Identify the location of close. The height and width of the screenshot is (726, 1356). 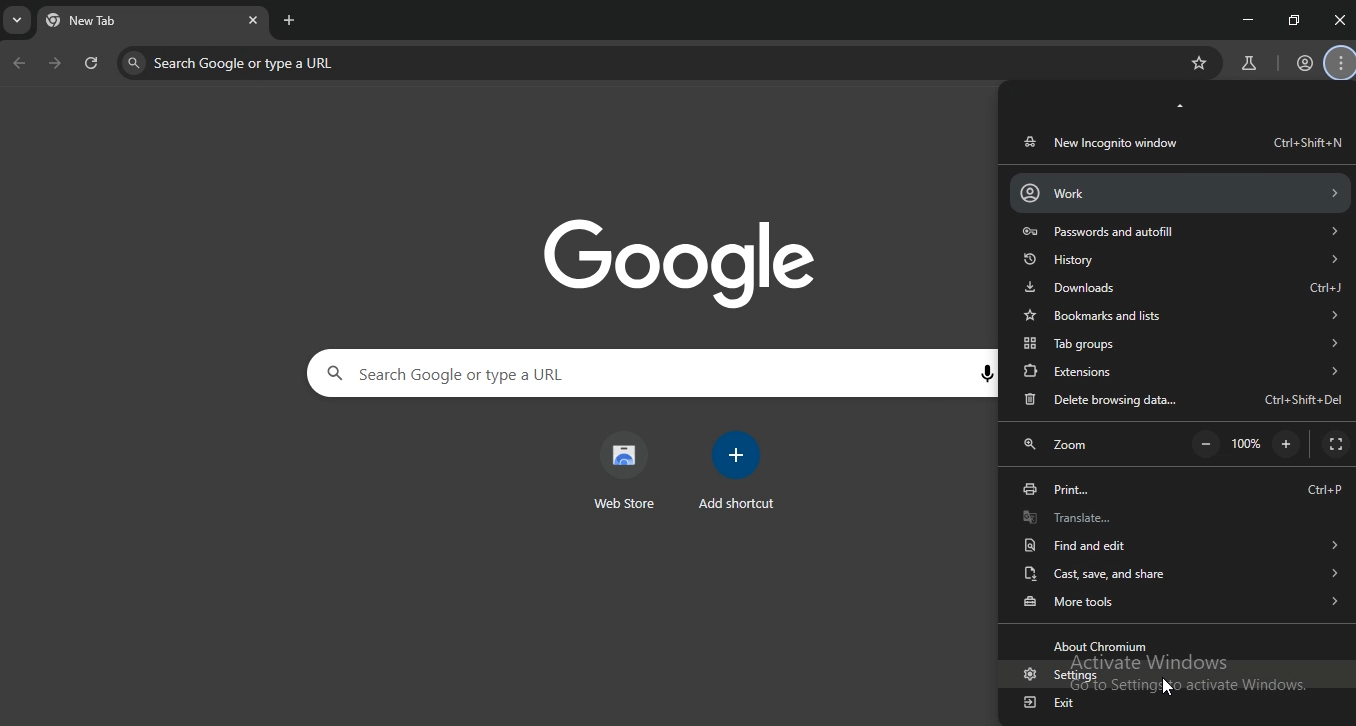
(1340, 20).